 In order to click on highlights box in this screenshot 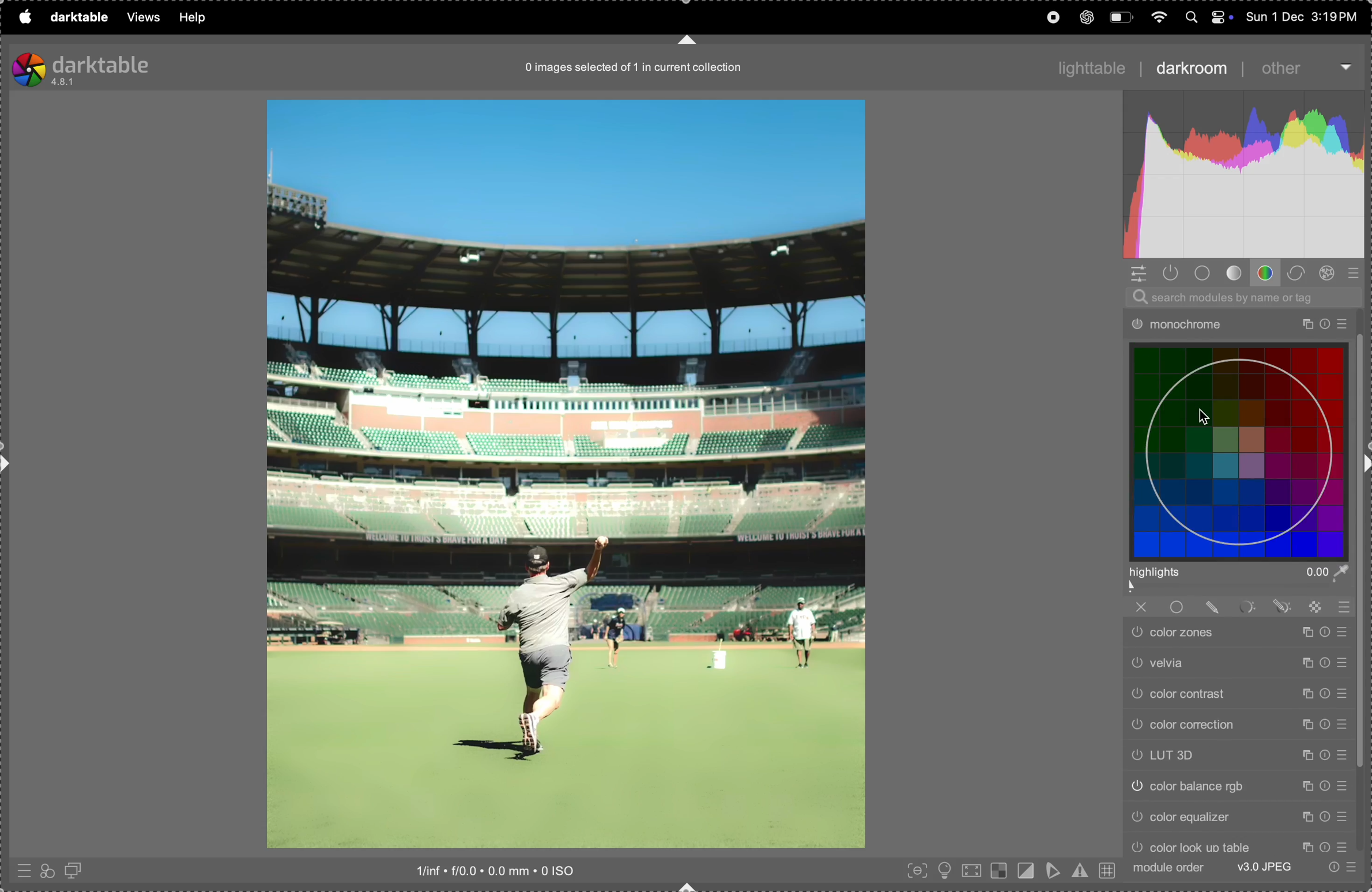, I will do `click(1242, 581)`.